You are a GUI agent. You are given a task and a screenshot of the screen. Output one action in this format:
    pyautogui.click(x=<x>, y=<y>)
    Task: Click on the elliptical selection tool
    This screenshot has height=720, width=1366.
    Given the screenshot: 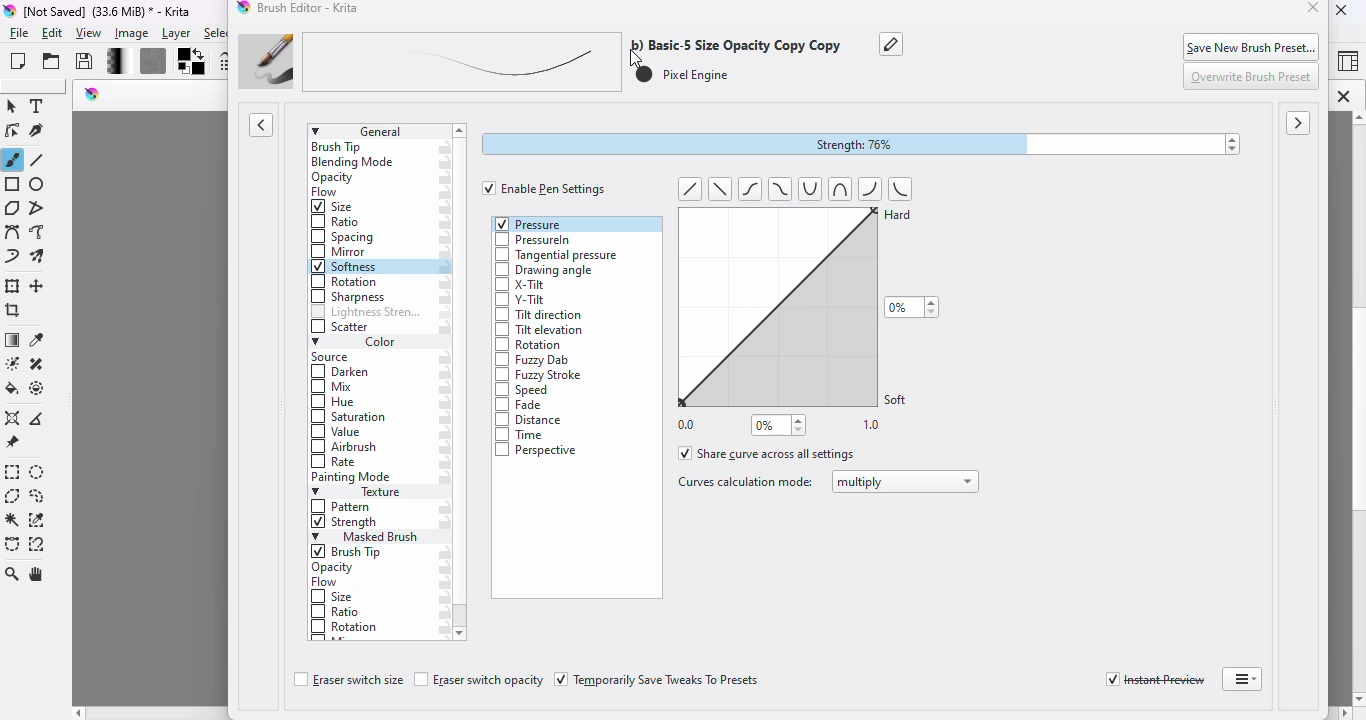 What is the action you would take?
    pyautogui.click(x=39, y=473)
    